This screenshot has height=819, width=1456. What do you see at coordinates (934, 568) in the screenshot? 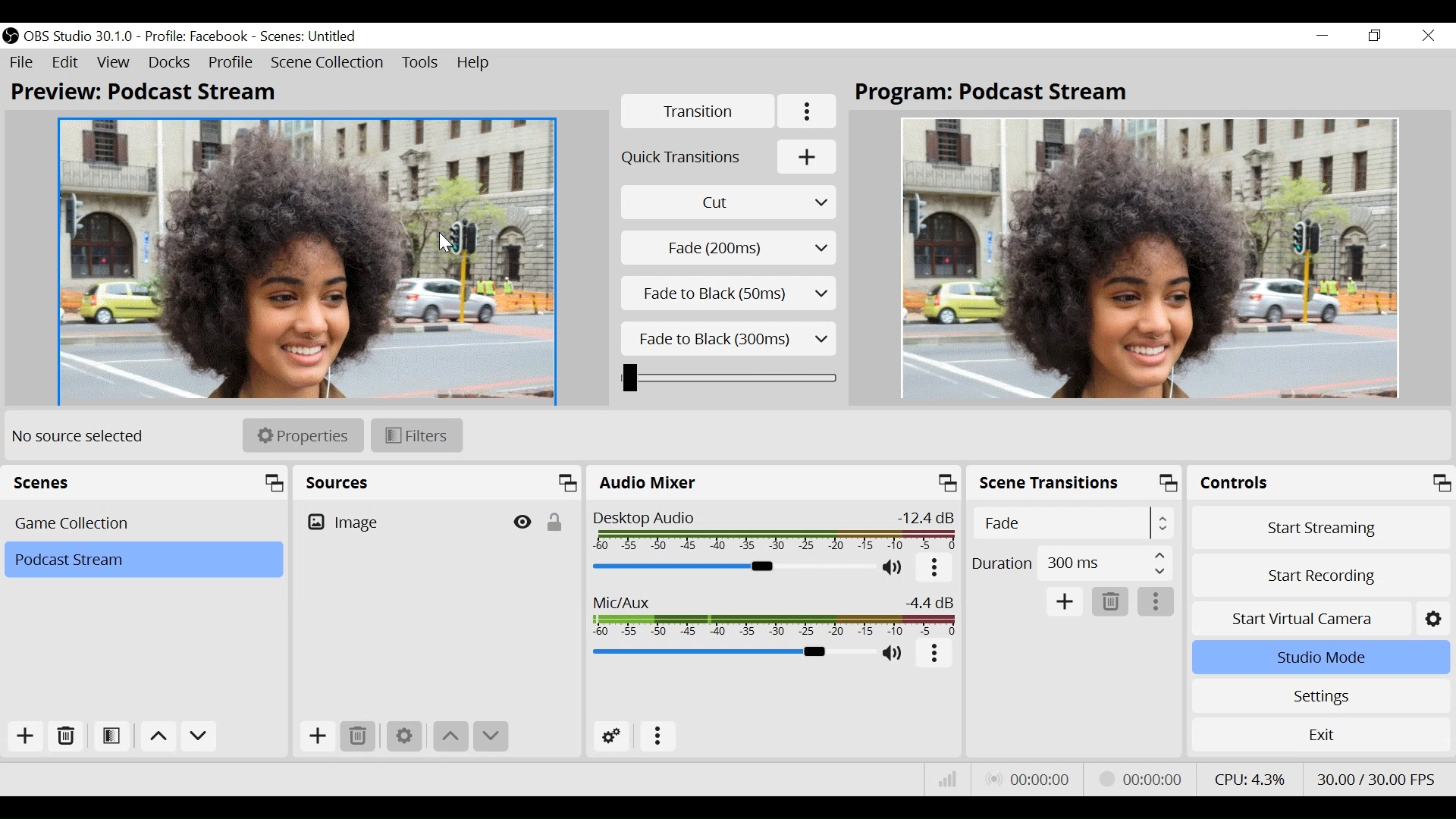
I see `more options` at bounding box center [934, 568].